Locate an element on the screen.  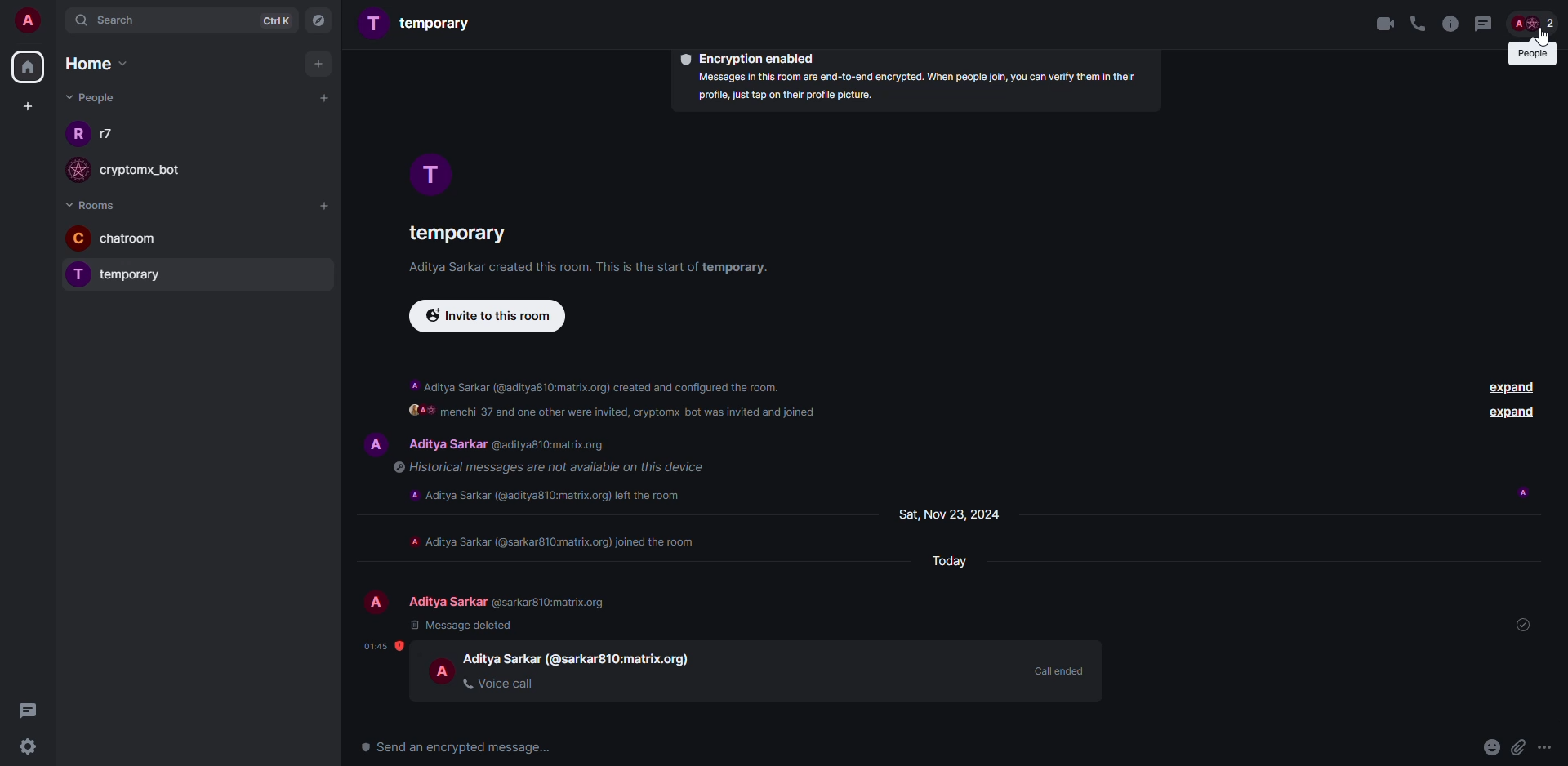
message deleted is located at coordinates (463, 625).